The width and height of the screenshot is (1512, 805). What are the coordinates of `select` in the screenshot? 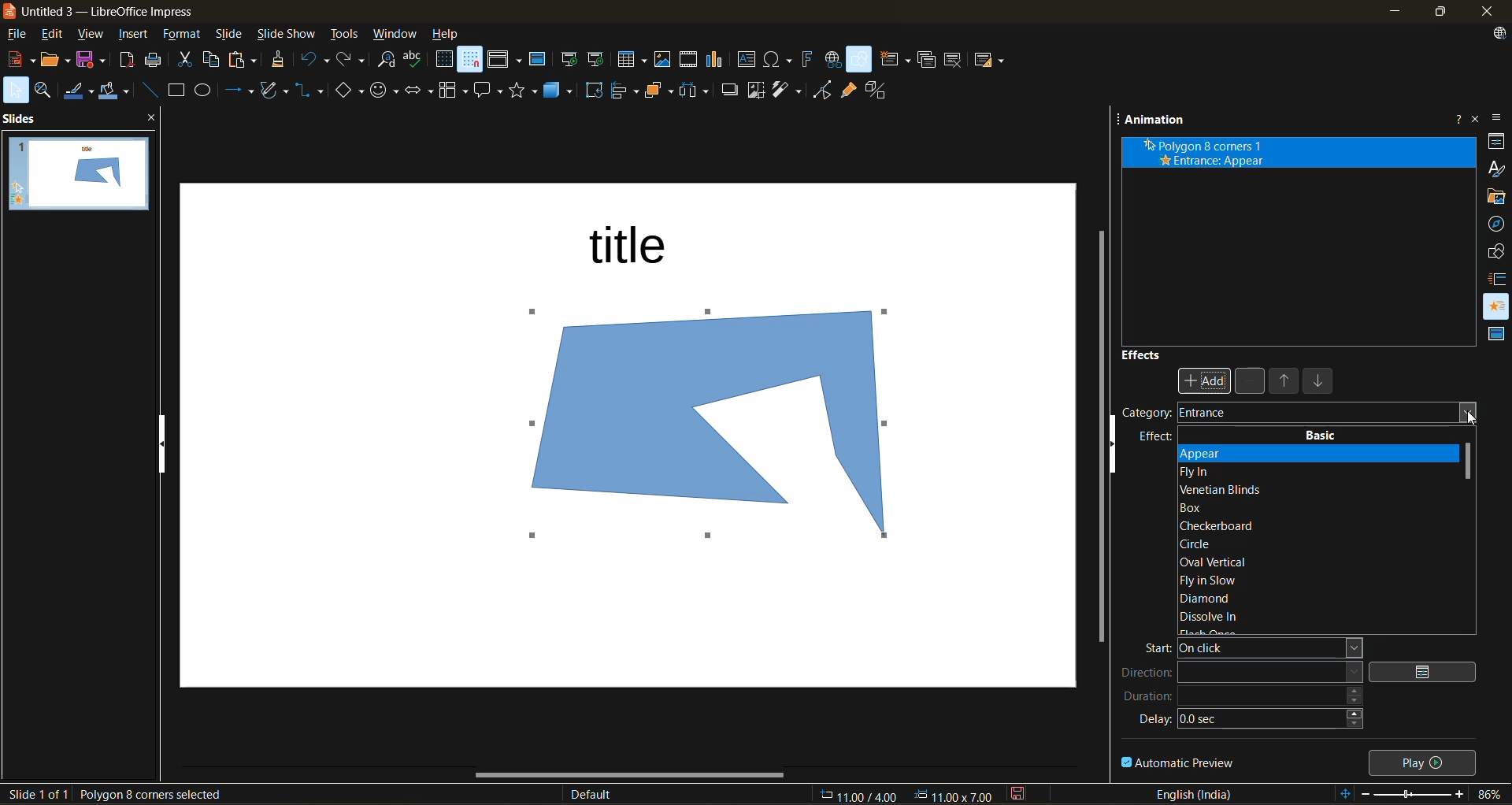 It's located at (17, 90).